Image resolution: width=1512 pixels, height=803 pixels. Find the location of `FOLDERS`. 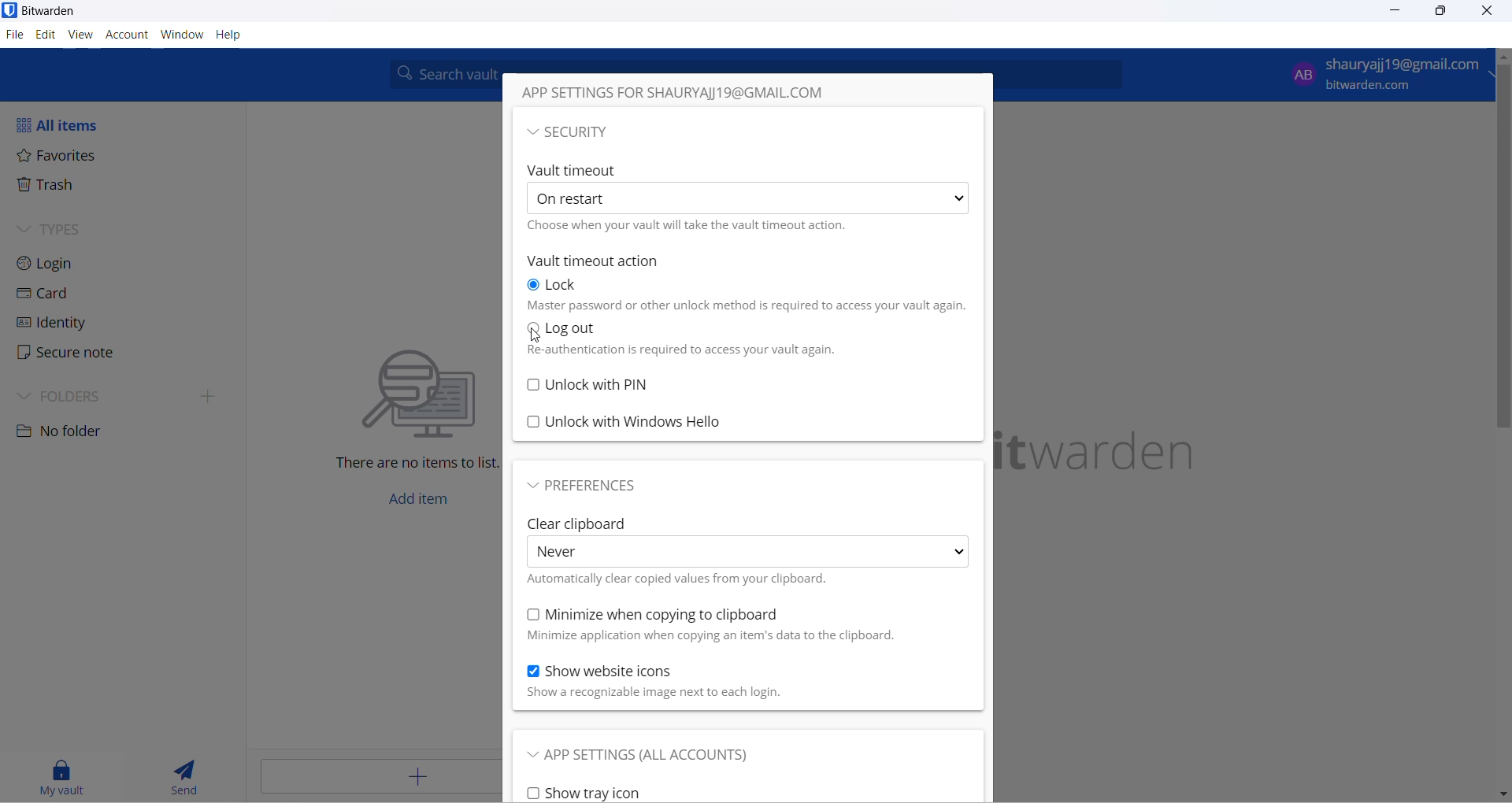

FOLDERS is located at coordinates (72, 394).